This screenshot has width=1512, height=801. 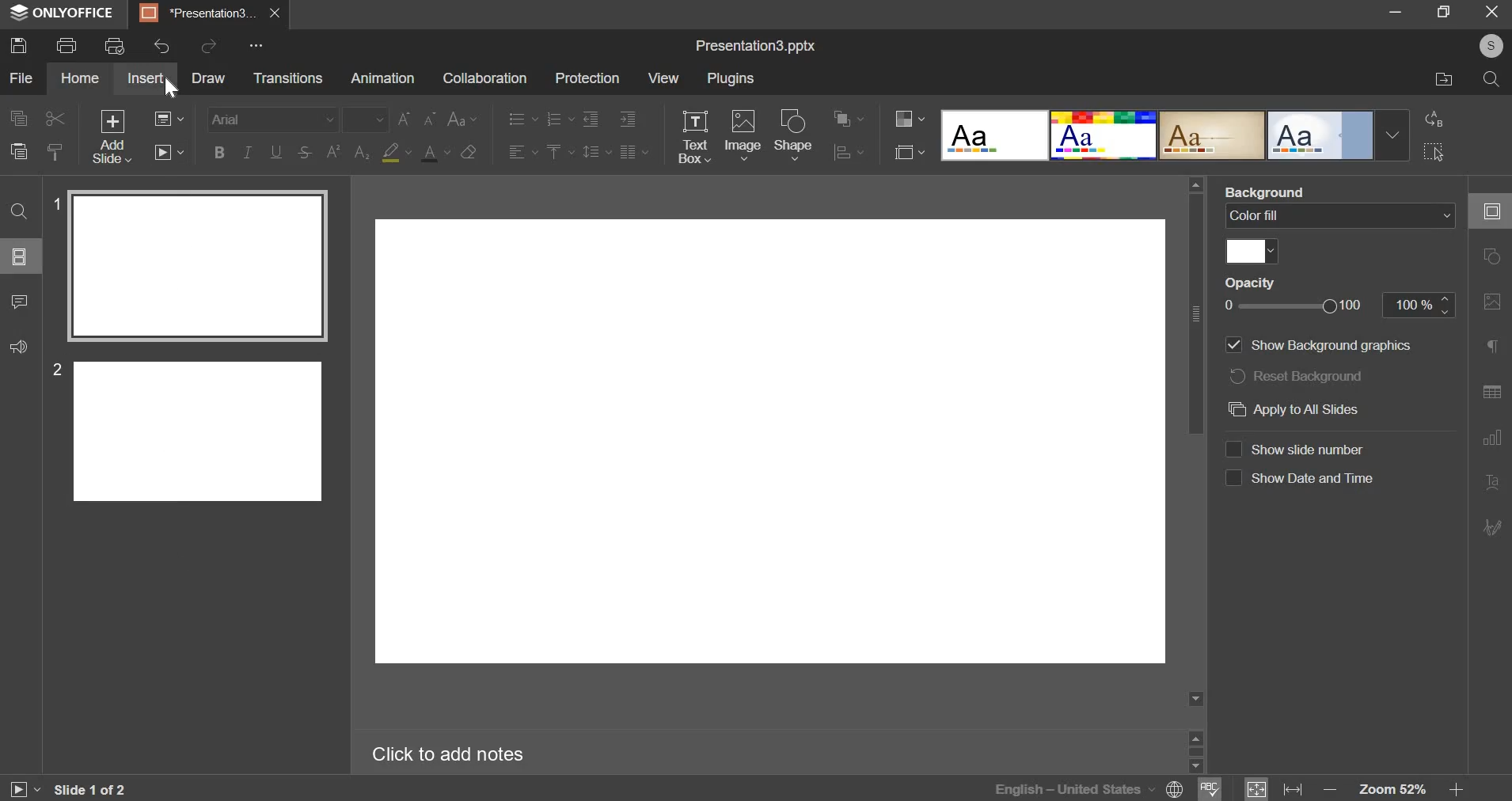 I want to click on spelling, so click(x=1210, y=788).